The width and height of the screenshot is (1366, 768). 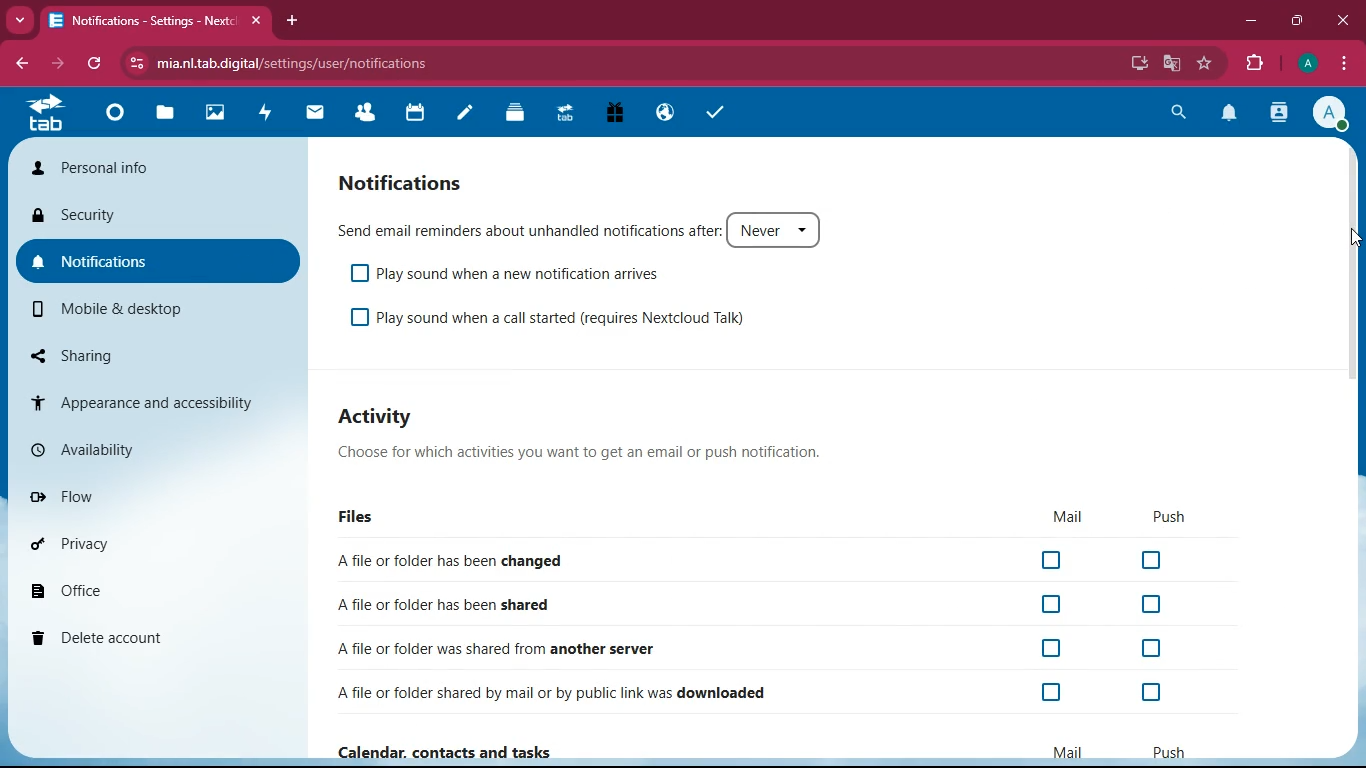 What do you see at coordinates (467, 115) in the screenshot?
I see `notes` at bounding box center [467, 115].